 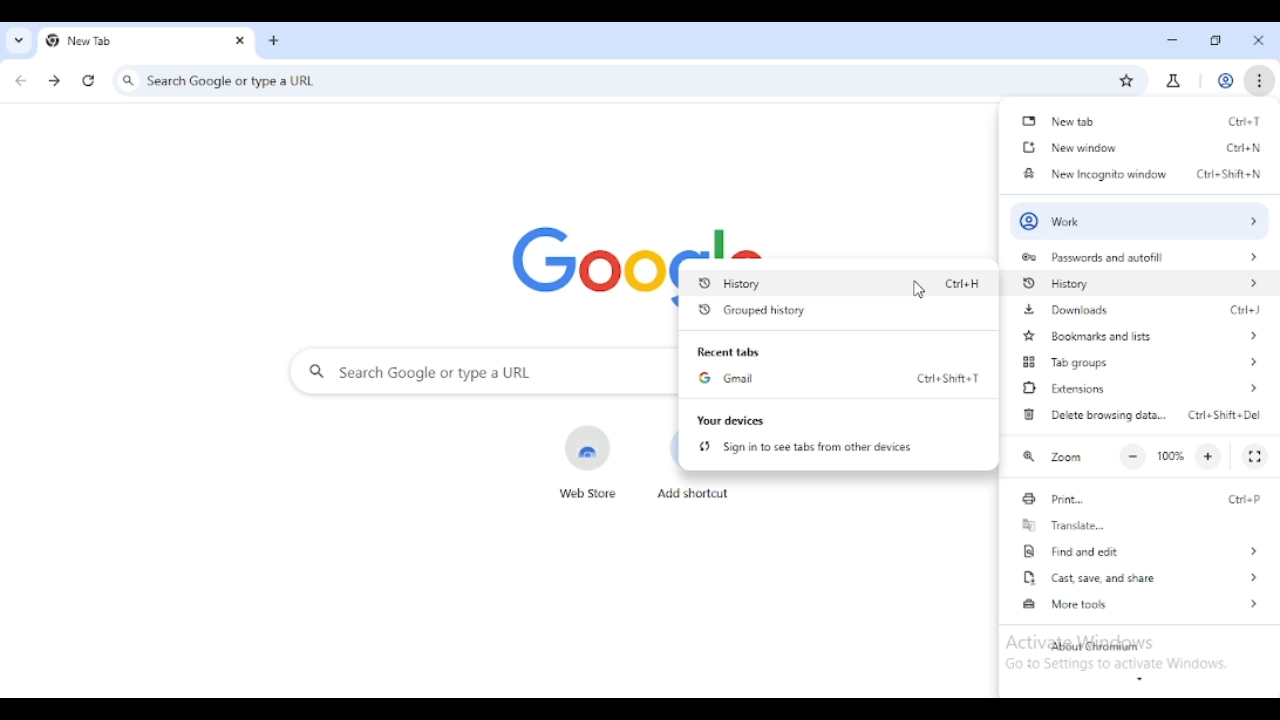 What do you see at coordinates (963, 282) in the screenshot?
I see `shortcut for history` at bounding box center [963, 282].